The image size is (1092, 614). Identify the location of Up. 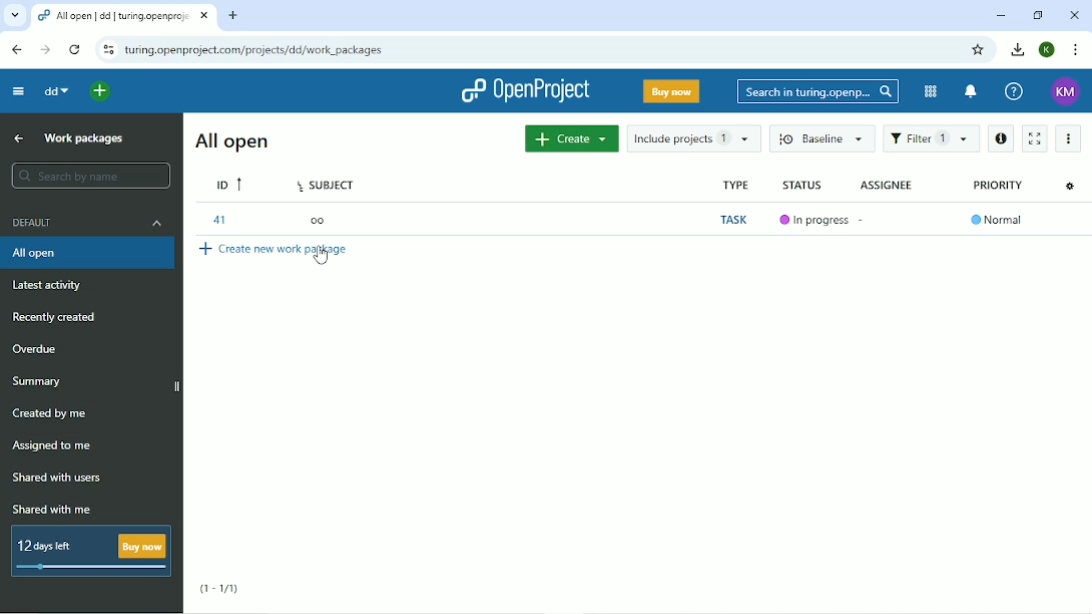
(16, 138).